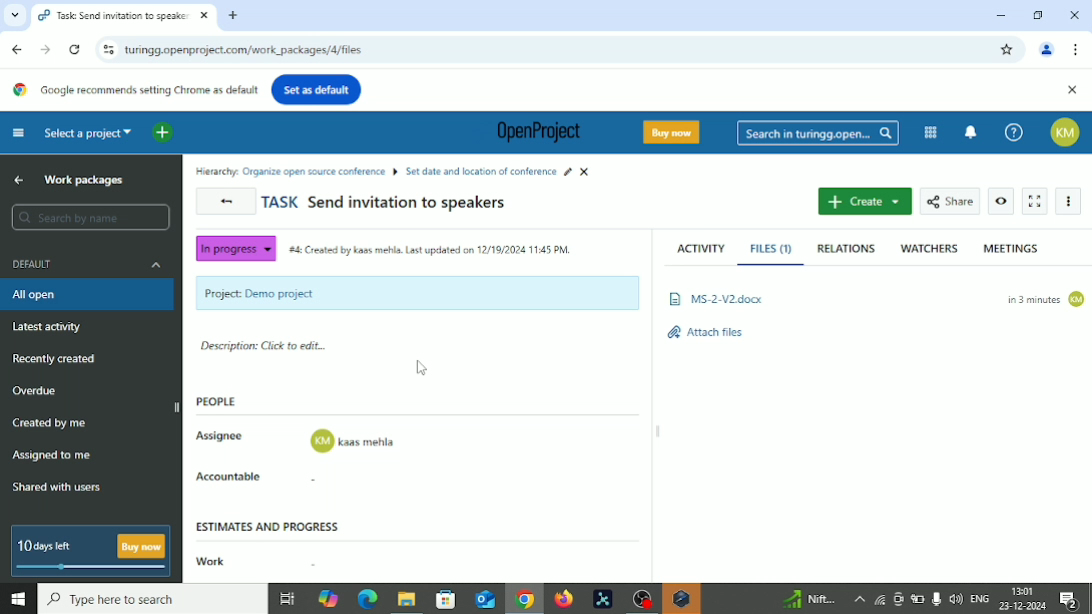 The image size is (1092, 614). I want to click on Overdue, so click(37, 391).